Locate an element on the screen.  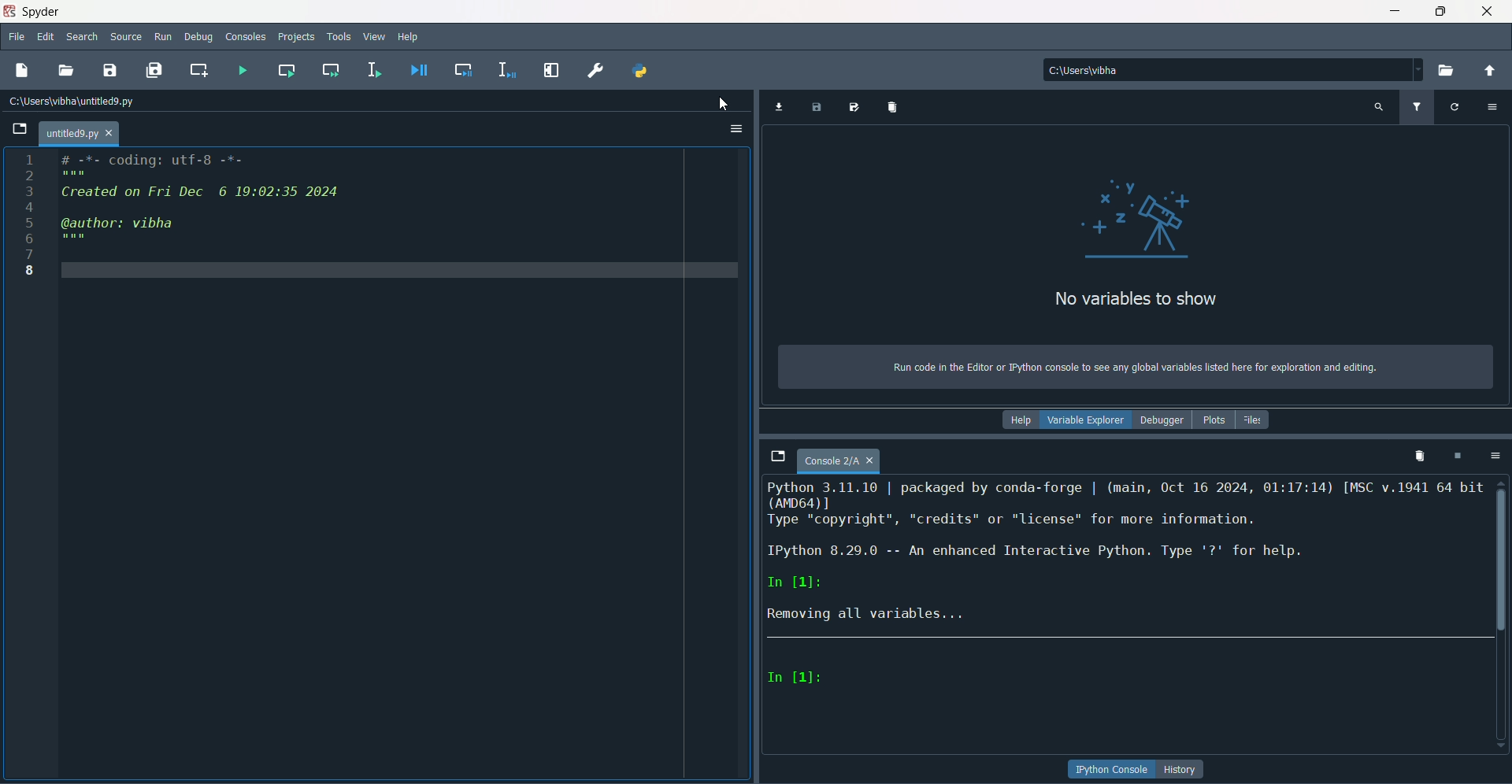
files is located at coordinates (1254, 420).